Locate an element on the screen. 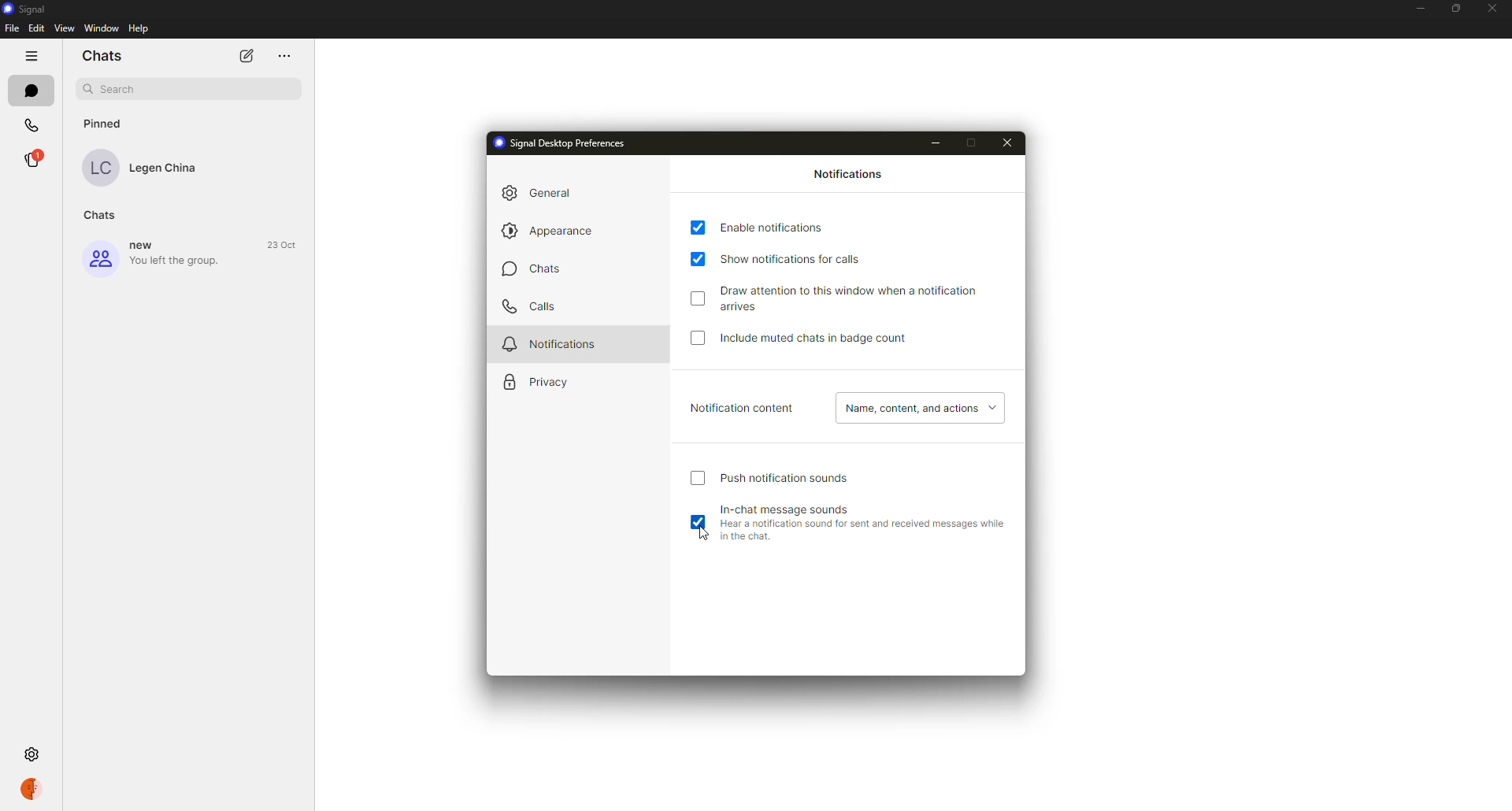 This screenshot has height=811, width=1512. group icon is located at coordinates (101, 257).